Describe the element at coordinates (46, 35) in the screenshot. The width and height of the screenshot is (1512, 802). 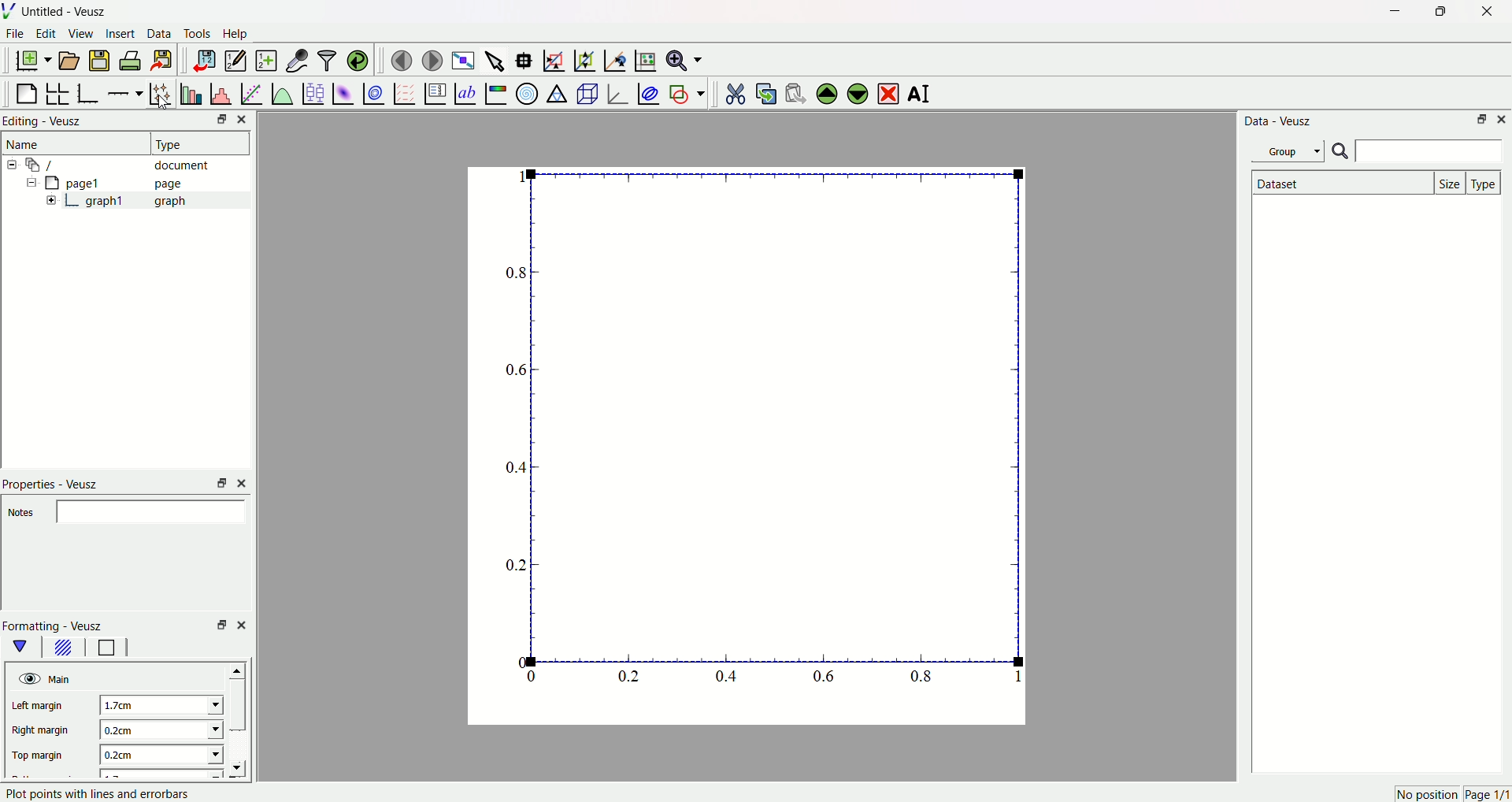
I see `Edit` at that location.